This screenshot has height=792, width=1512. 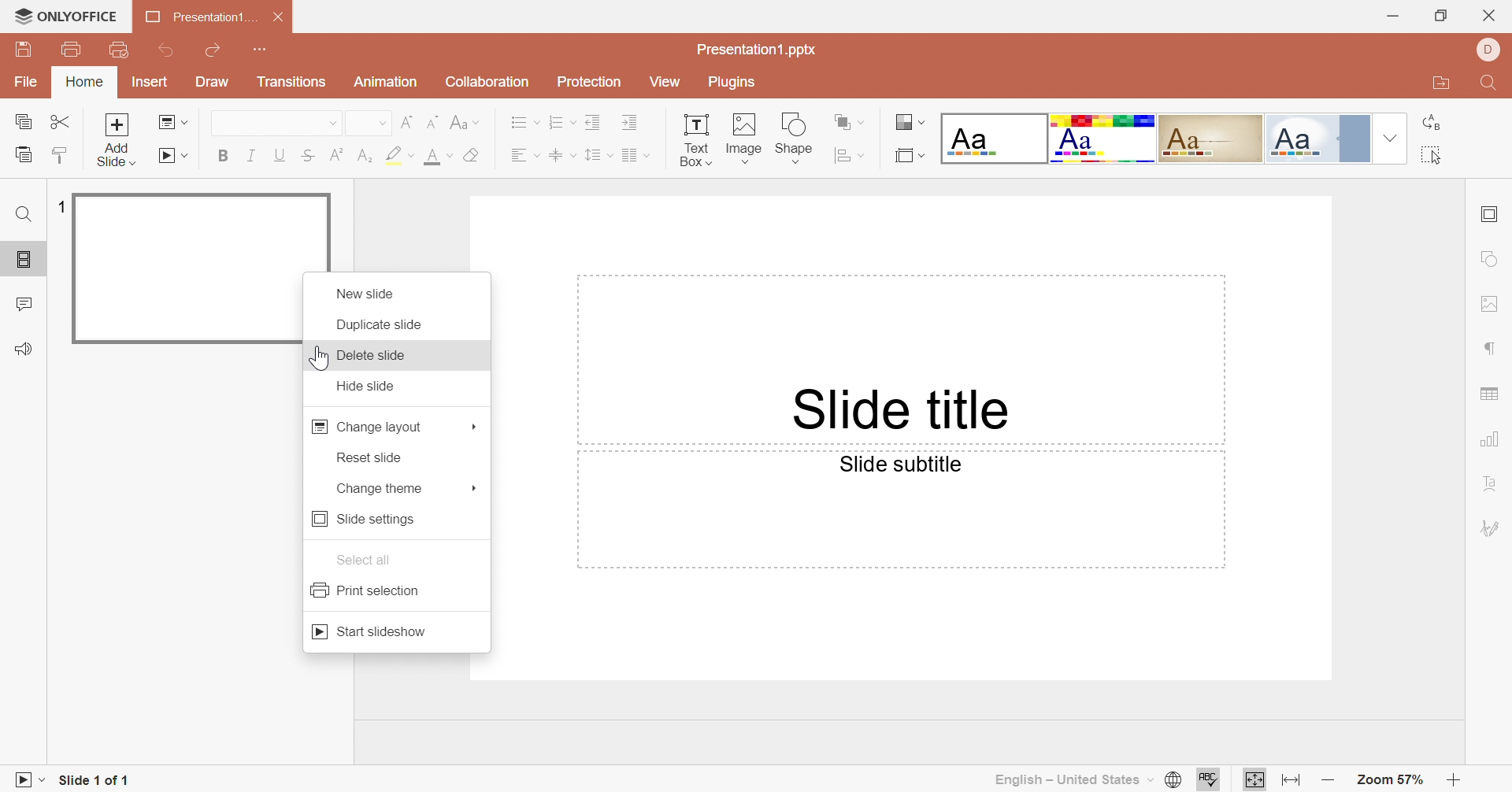 What do you see at coordinates (1493, 215) in the screenshot?
I see `Slide settings` at bounding box center [1493, 215].